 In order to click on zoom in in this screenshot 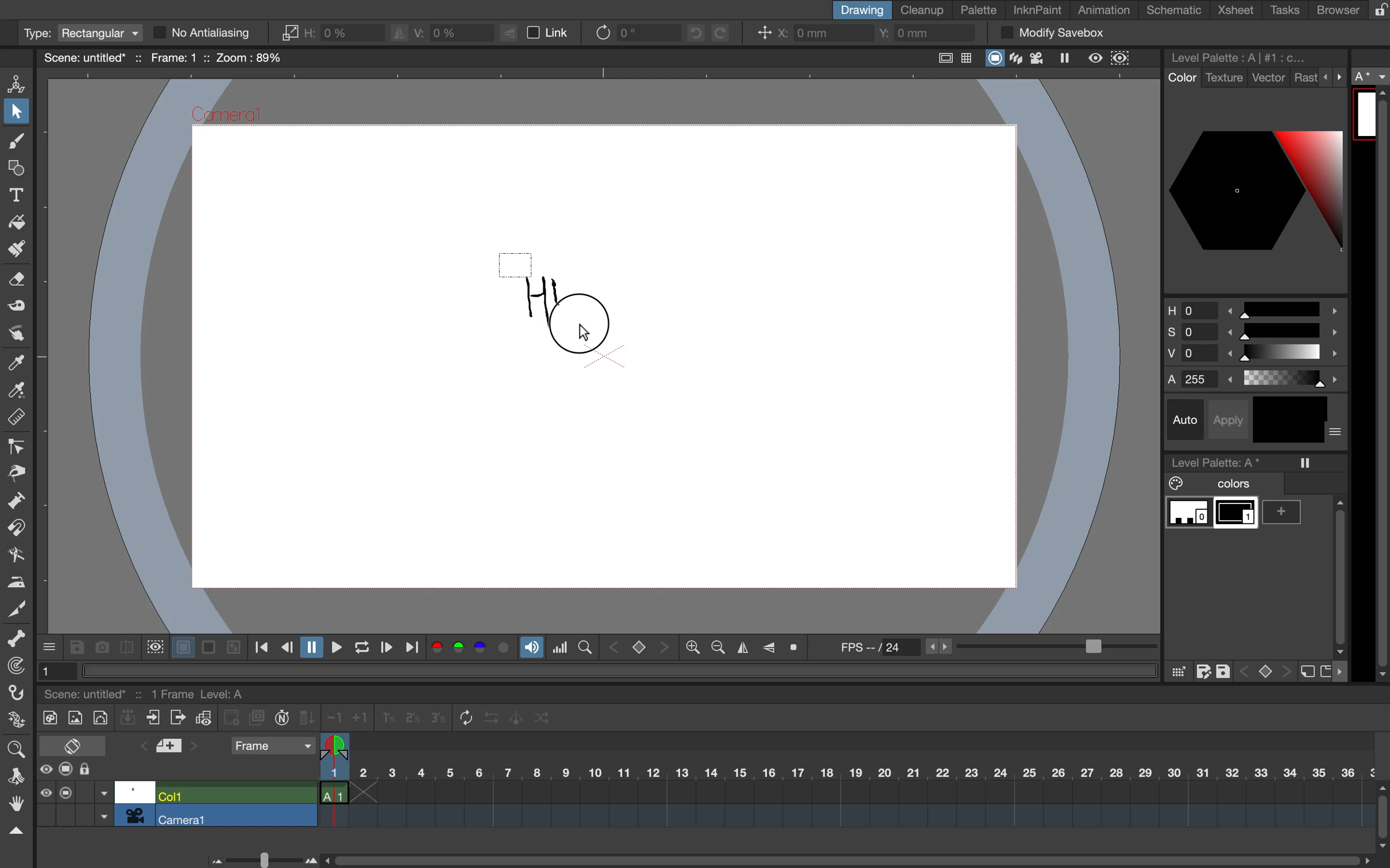, I will do `click(715, 648)`.